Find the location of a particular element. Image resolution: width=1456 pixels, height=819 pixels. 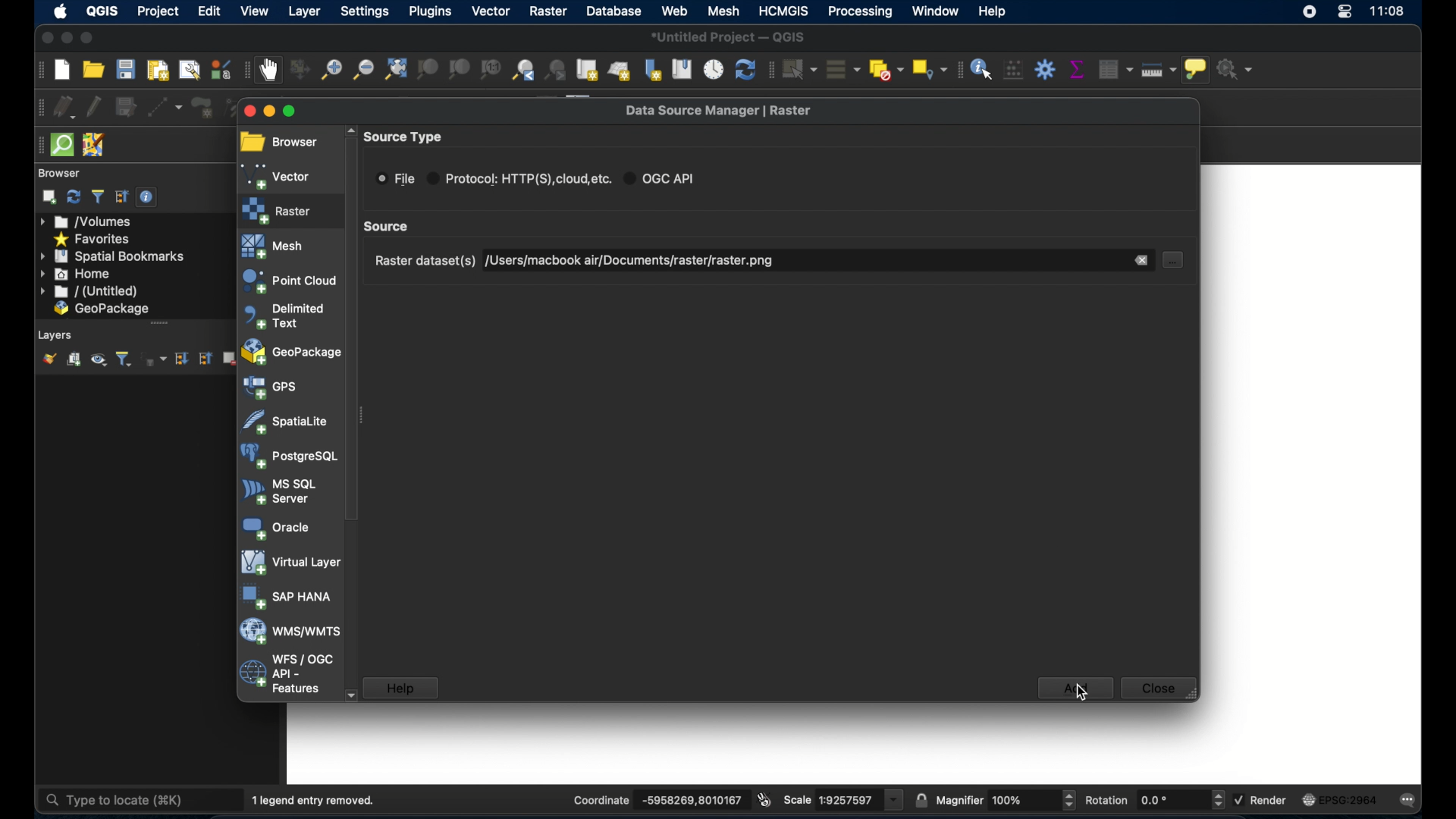

temporal controller panel is located at coordinates (714, 69).